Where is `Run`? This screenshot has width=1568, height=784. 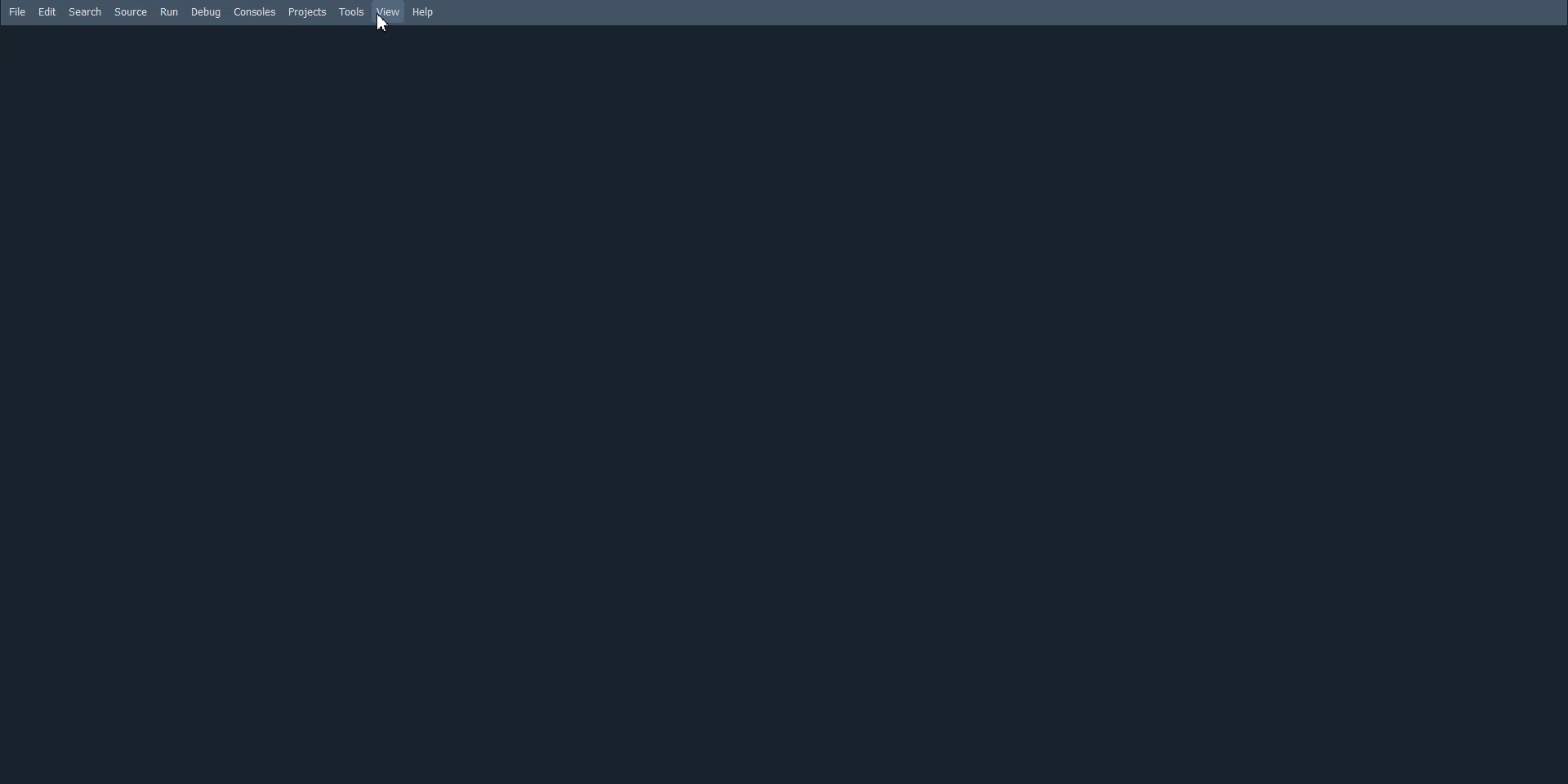
Run is located at coordinates (169, 11).